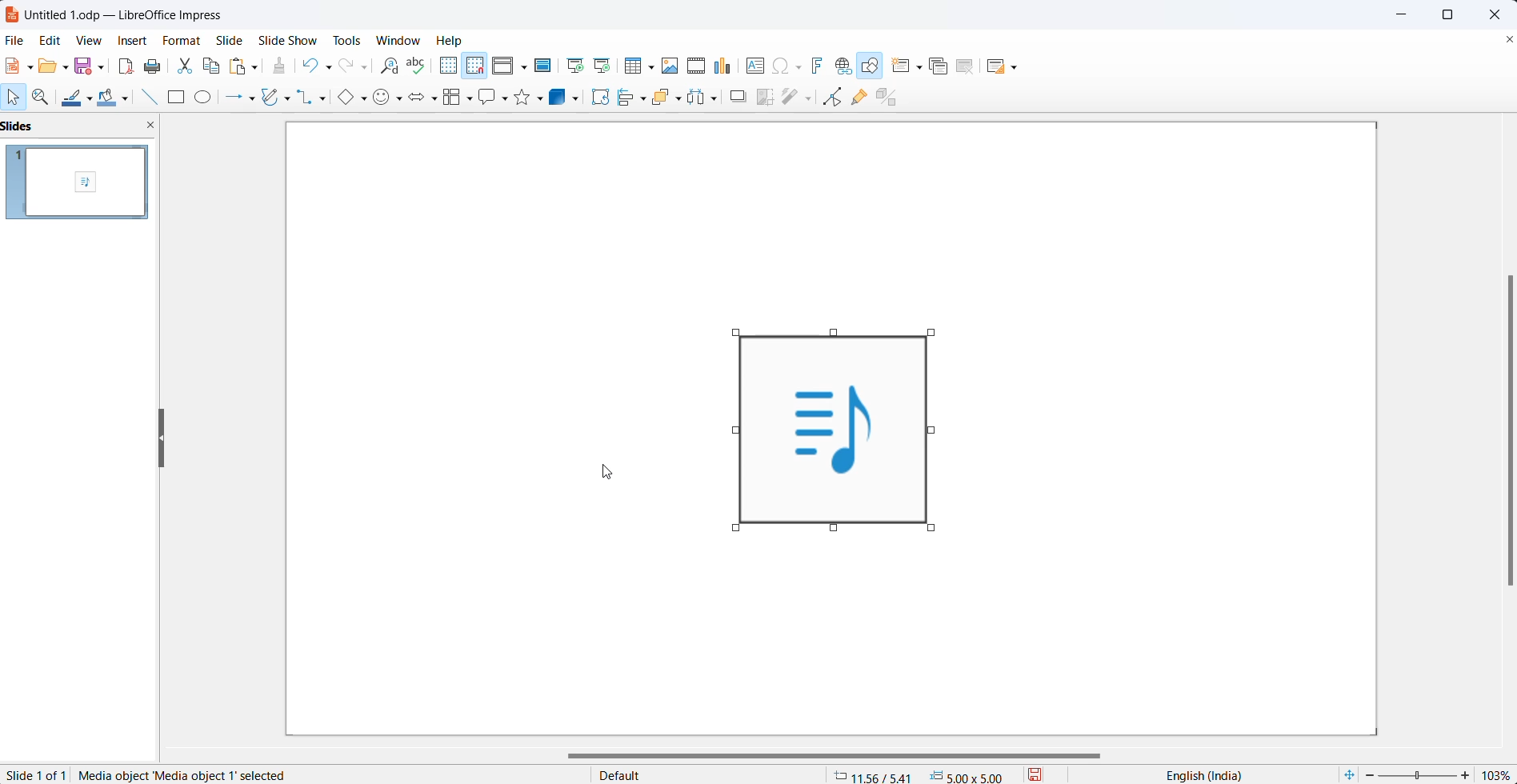 Image resolution: width=1517 pixels, height=784 pixels. Describe the element at coordinates (469, 100) in the screenshot. I see `flowchart options` at that location.